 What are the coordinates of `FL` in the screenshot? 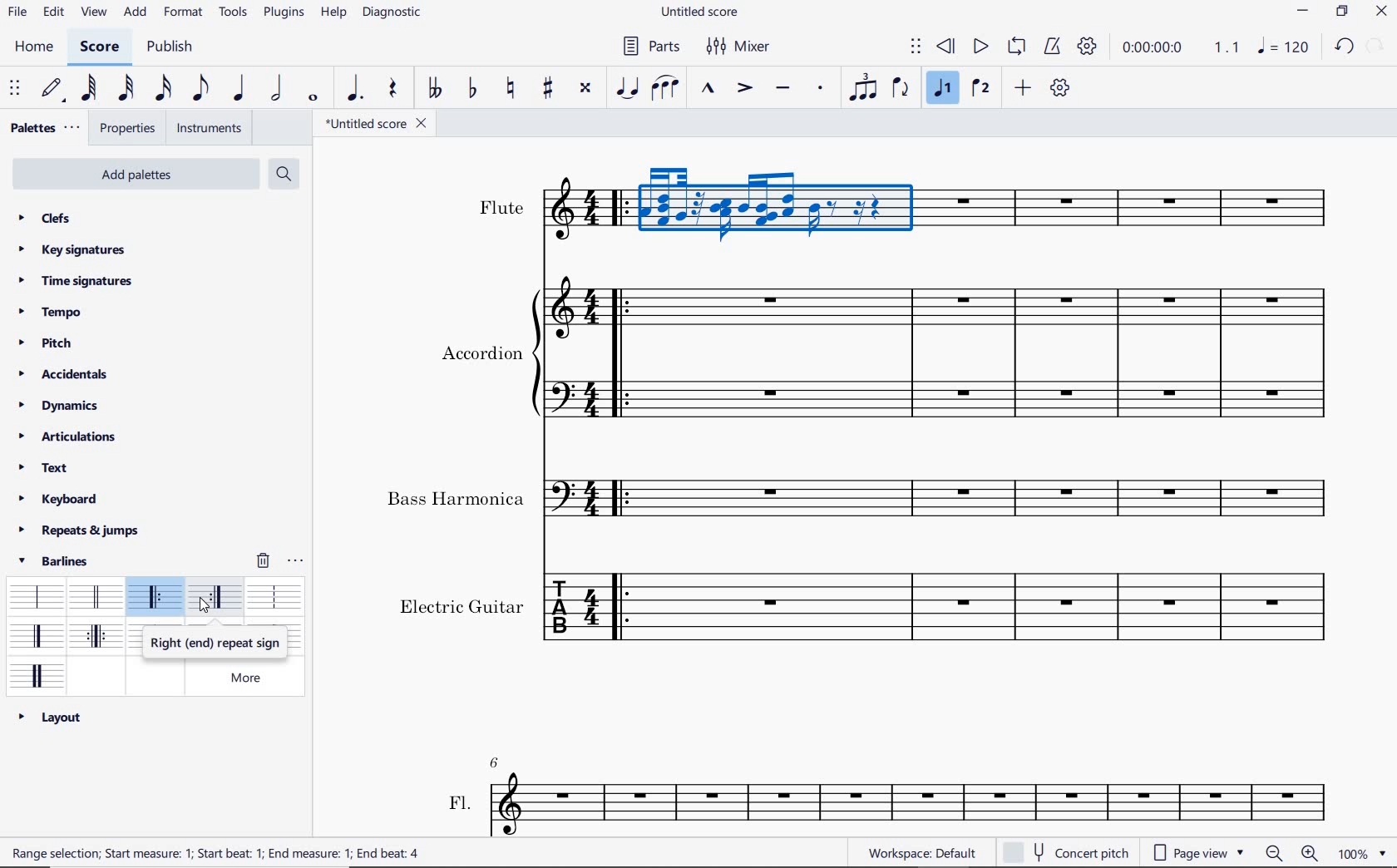 It's located at (914, 803).